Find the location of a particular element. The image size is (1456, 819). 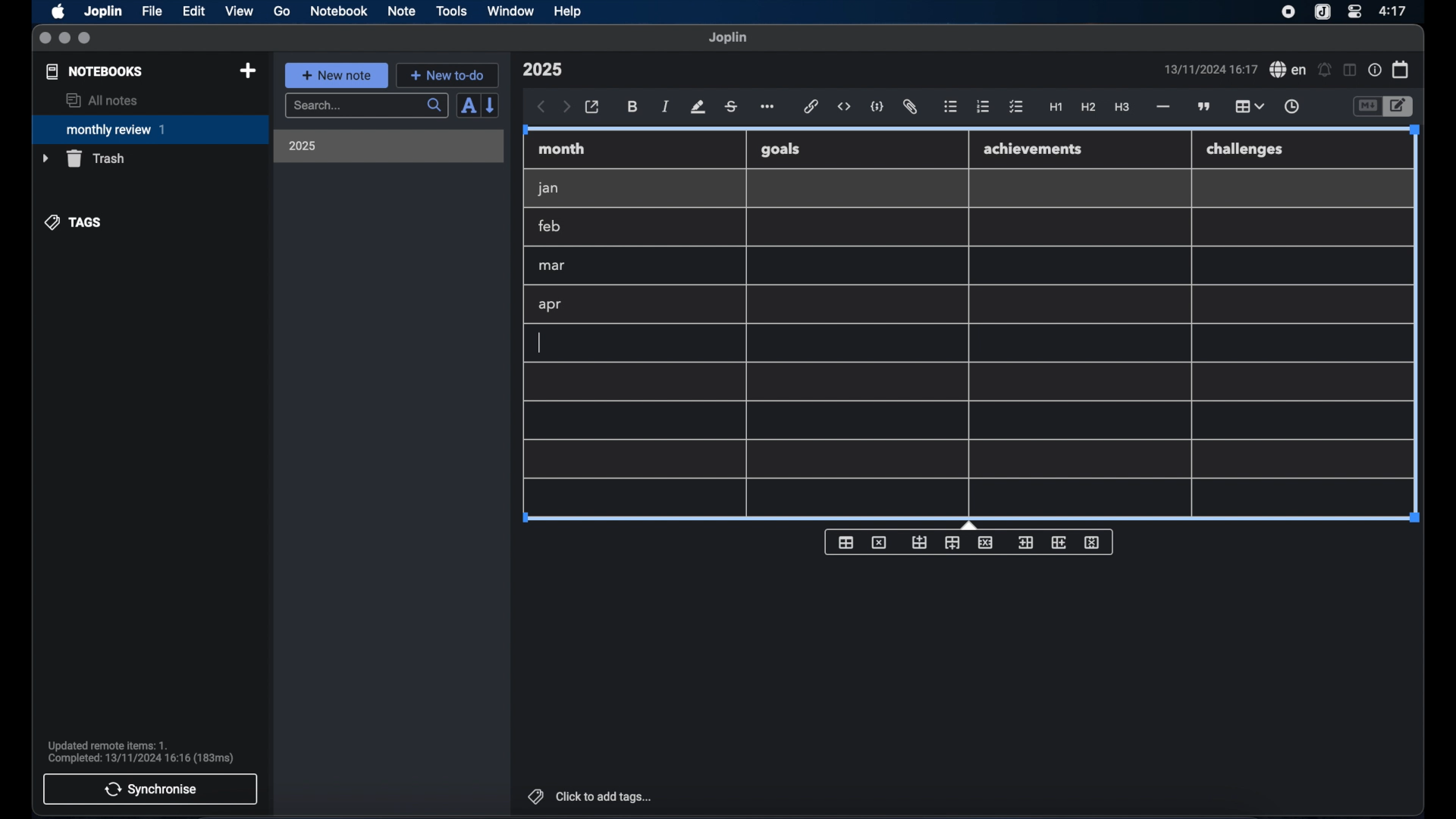

joplin icon is located at coordinates (1321, 13).